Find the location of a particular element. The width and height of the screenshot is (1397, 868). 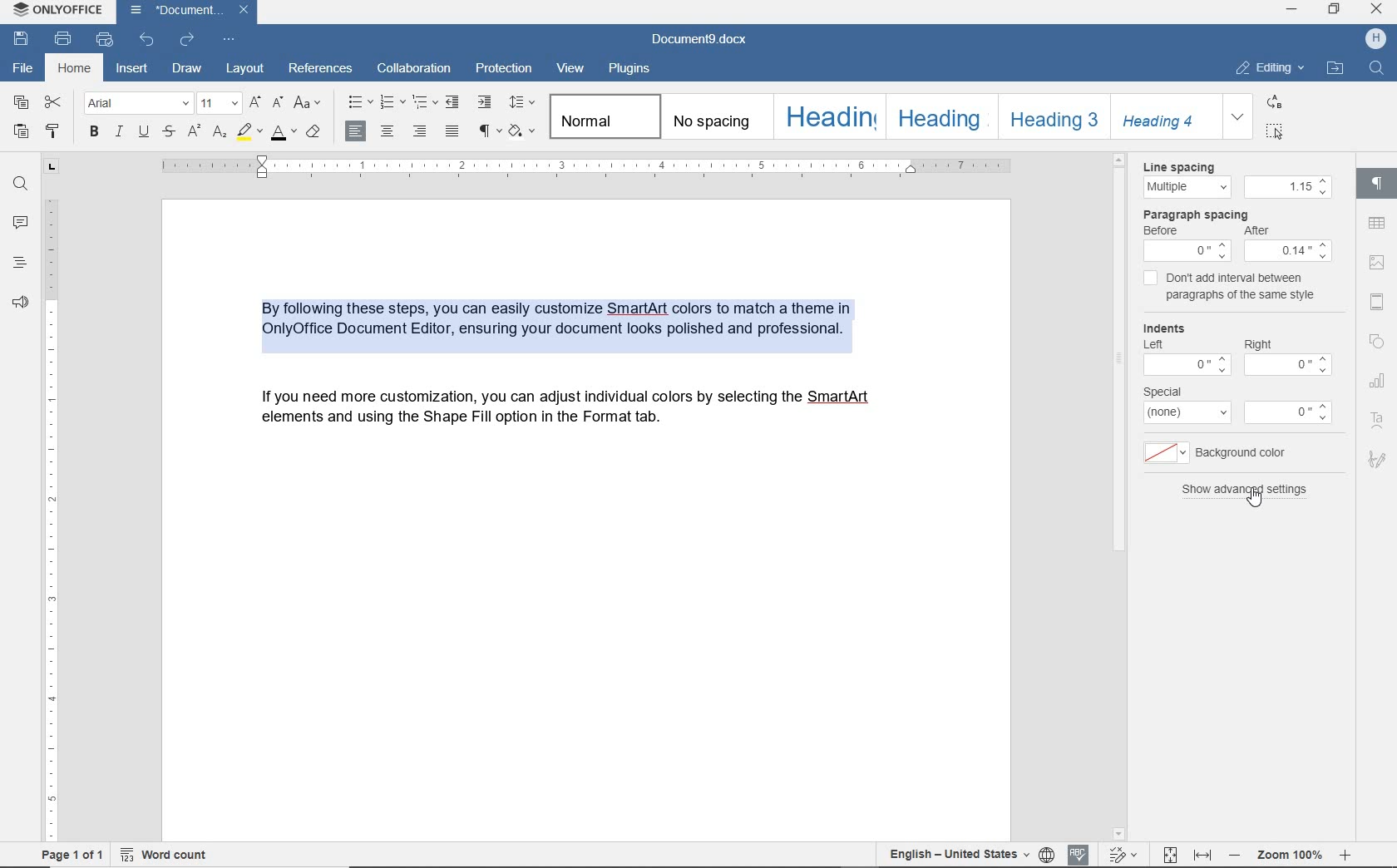

before is located at coordinates (1163, 230).